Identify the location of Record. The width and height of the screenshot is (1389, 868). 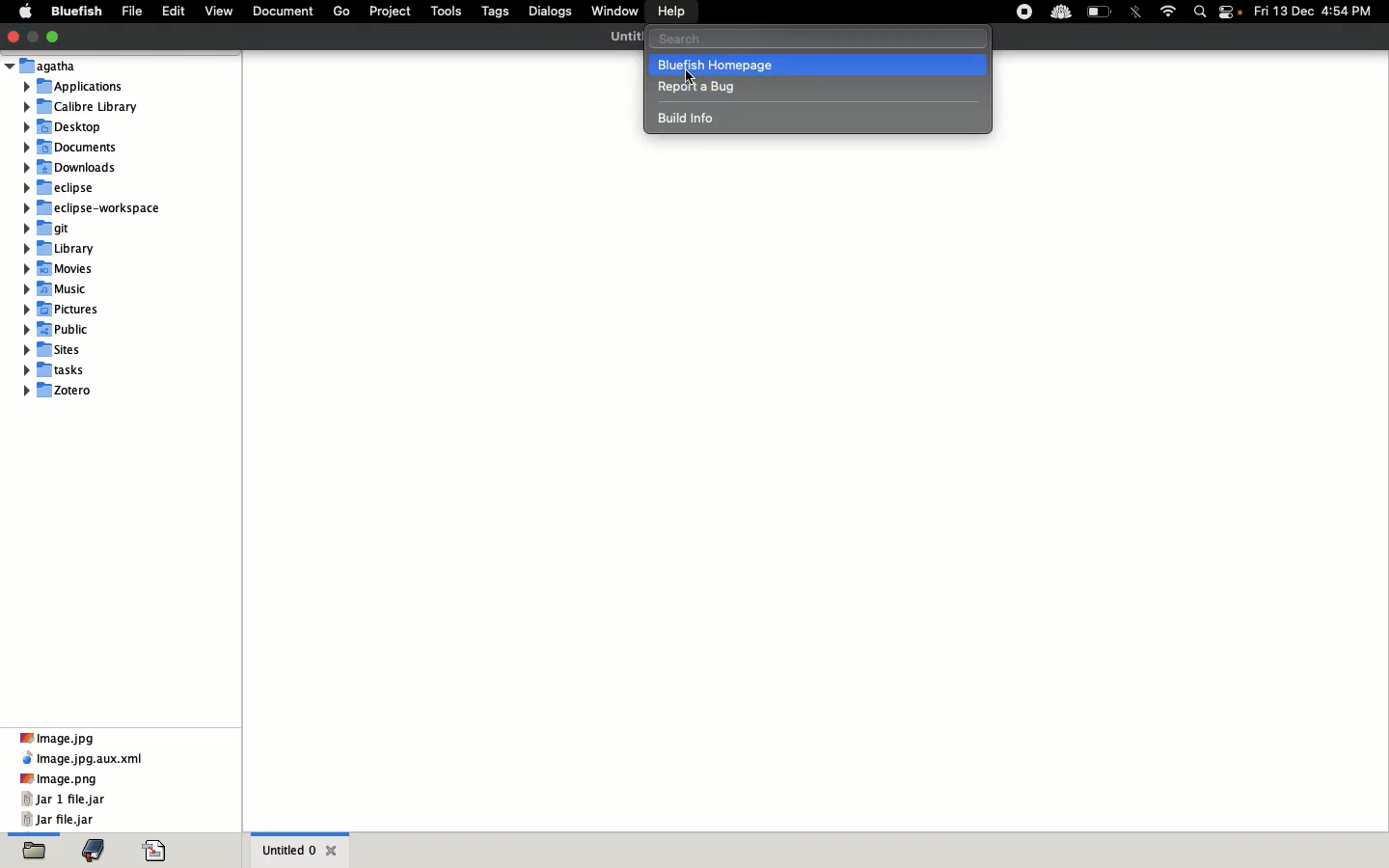
(1024, 13).